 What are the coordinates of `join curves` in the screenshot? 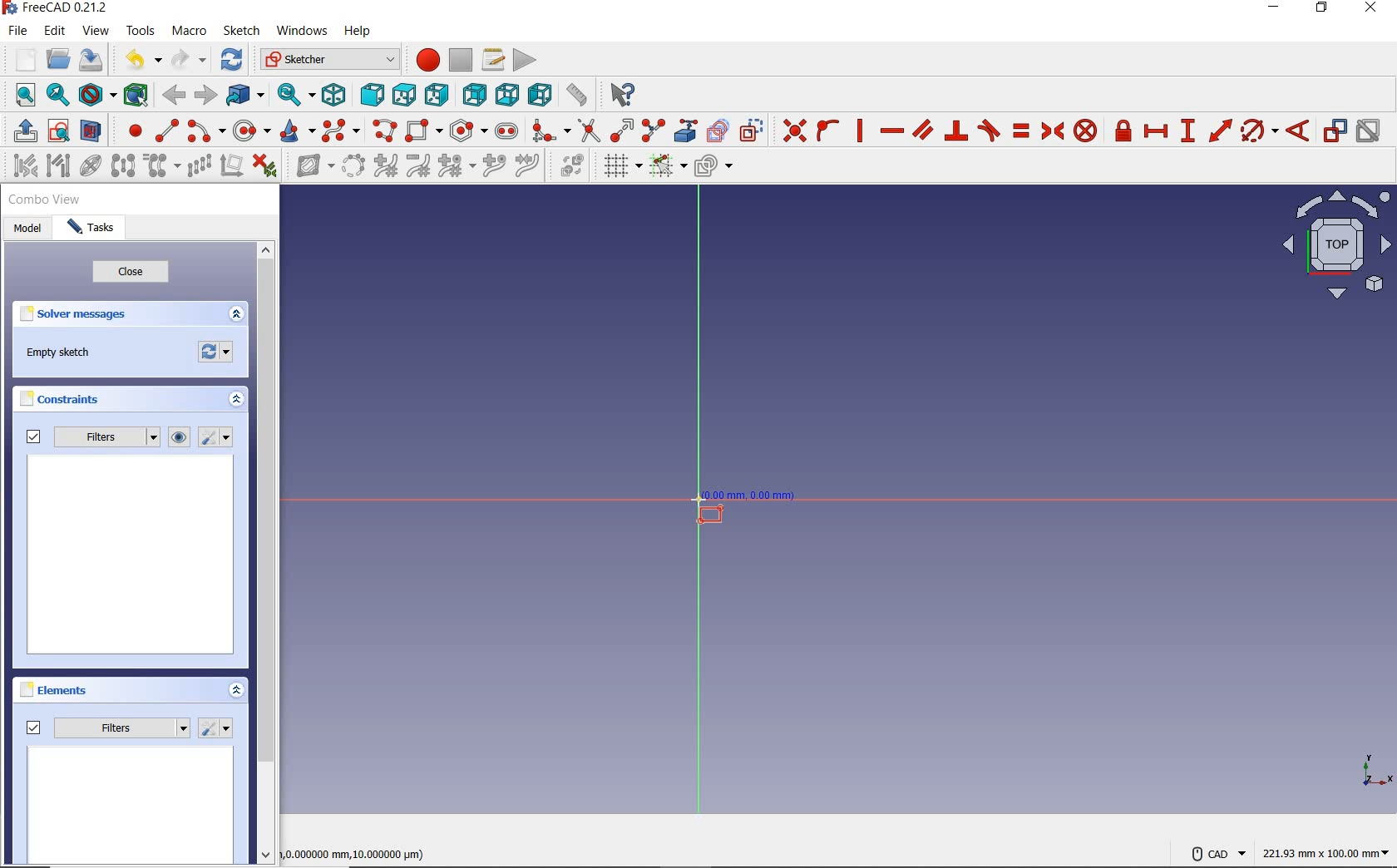 It's located at (529, 168).